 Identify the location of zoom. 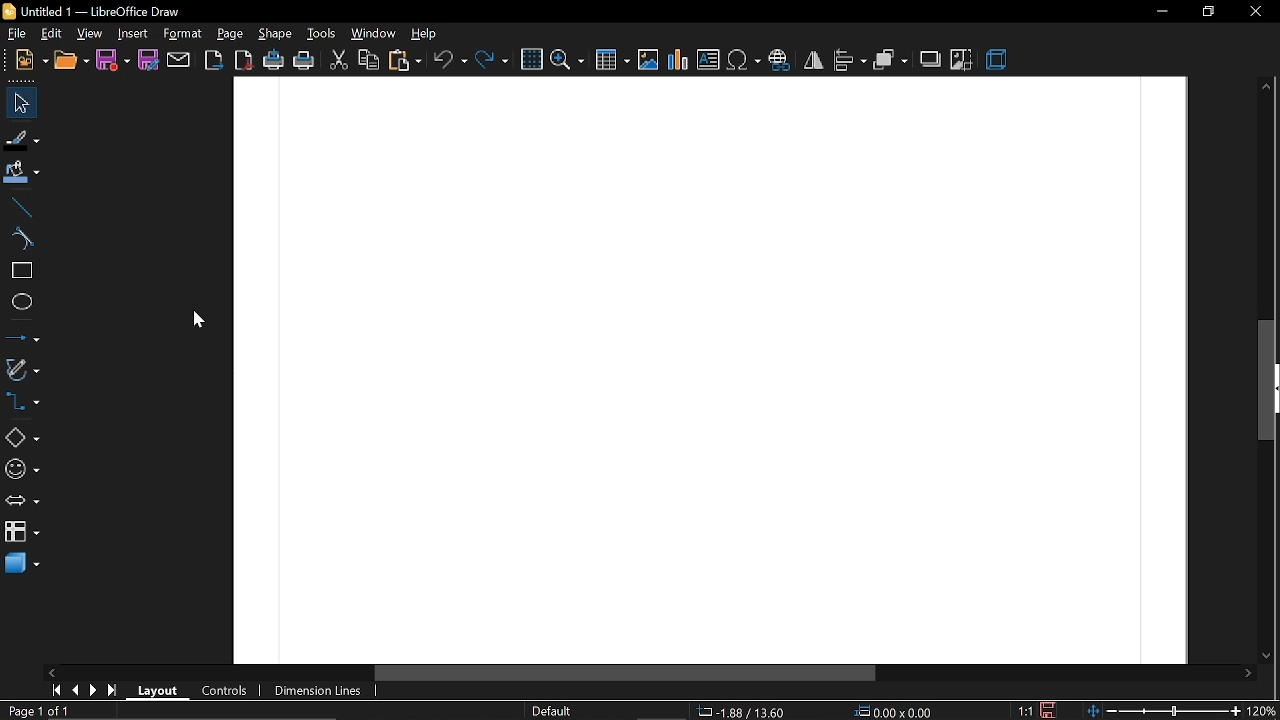
(567, 61).